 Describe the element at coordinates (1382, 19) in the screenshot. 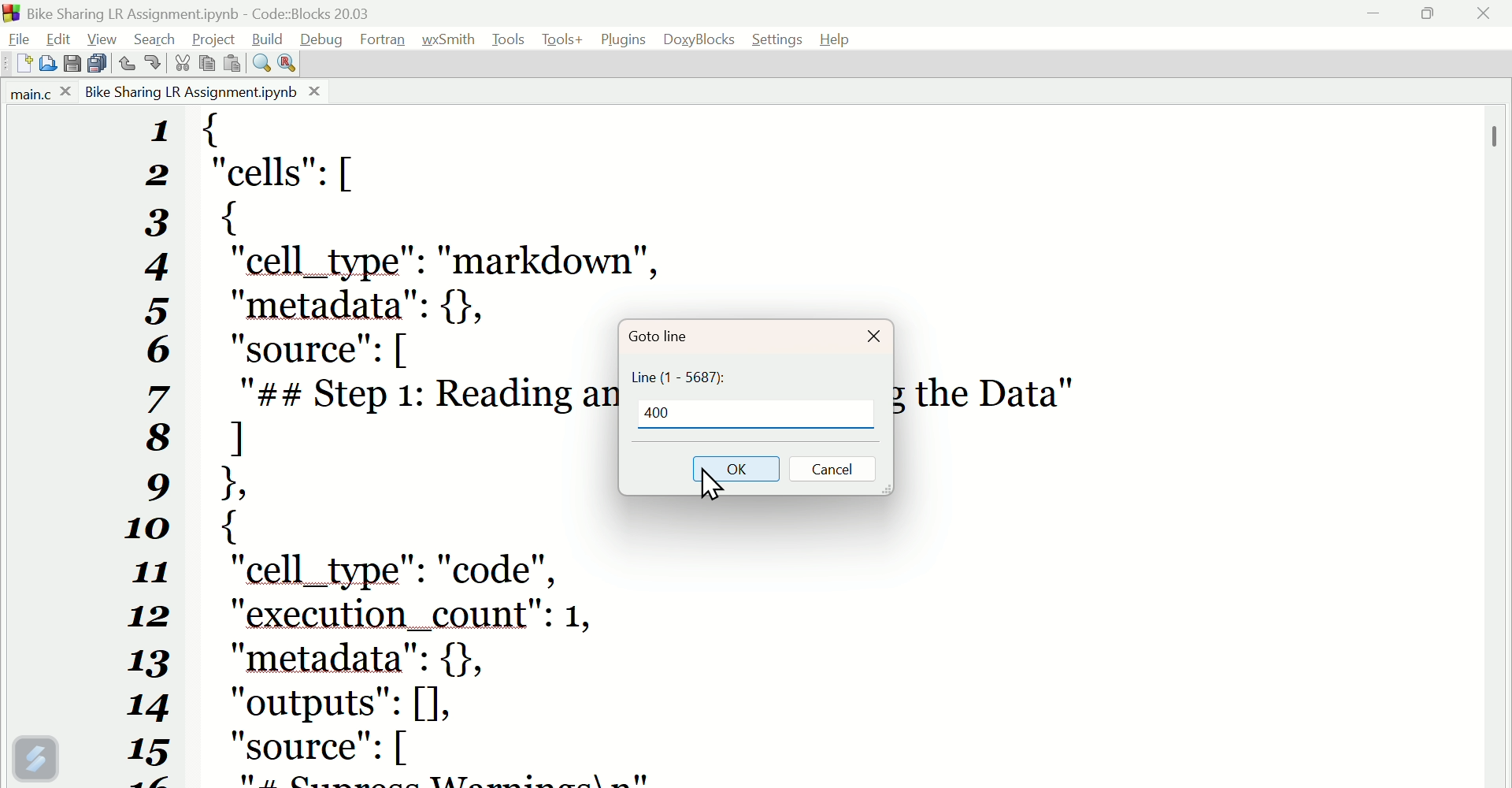

I see `minimise` at that location.